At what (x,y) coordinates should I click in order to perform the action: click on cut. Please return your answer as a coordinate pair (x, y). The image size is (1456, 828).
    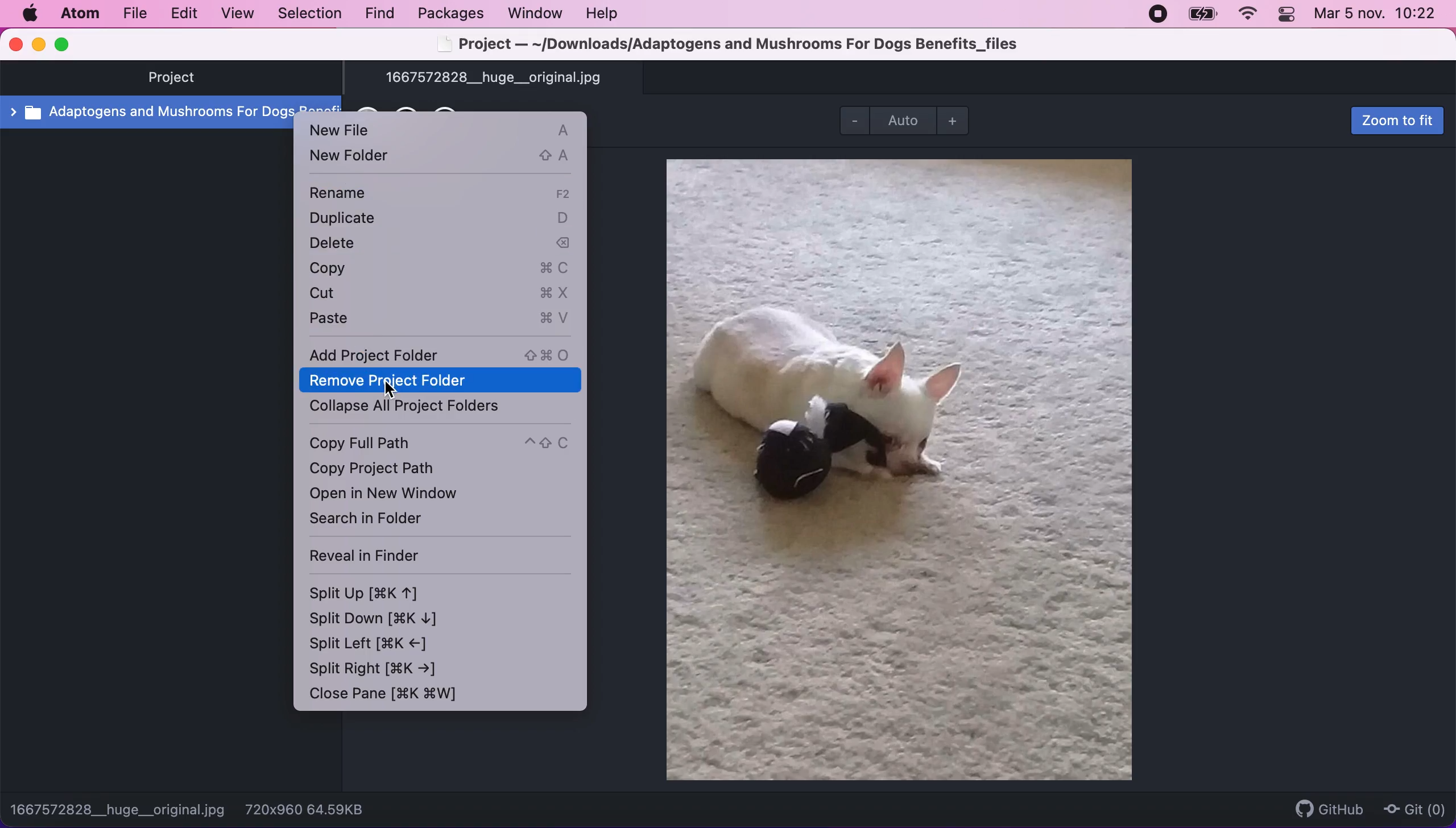
    Looking at the image, I should click on (442, 294).